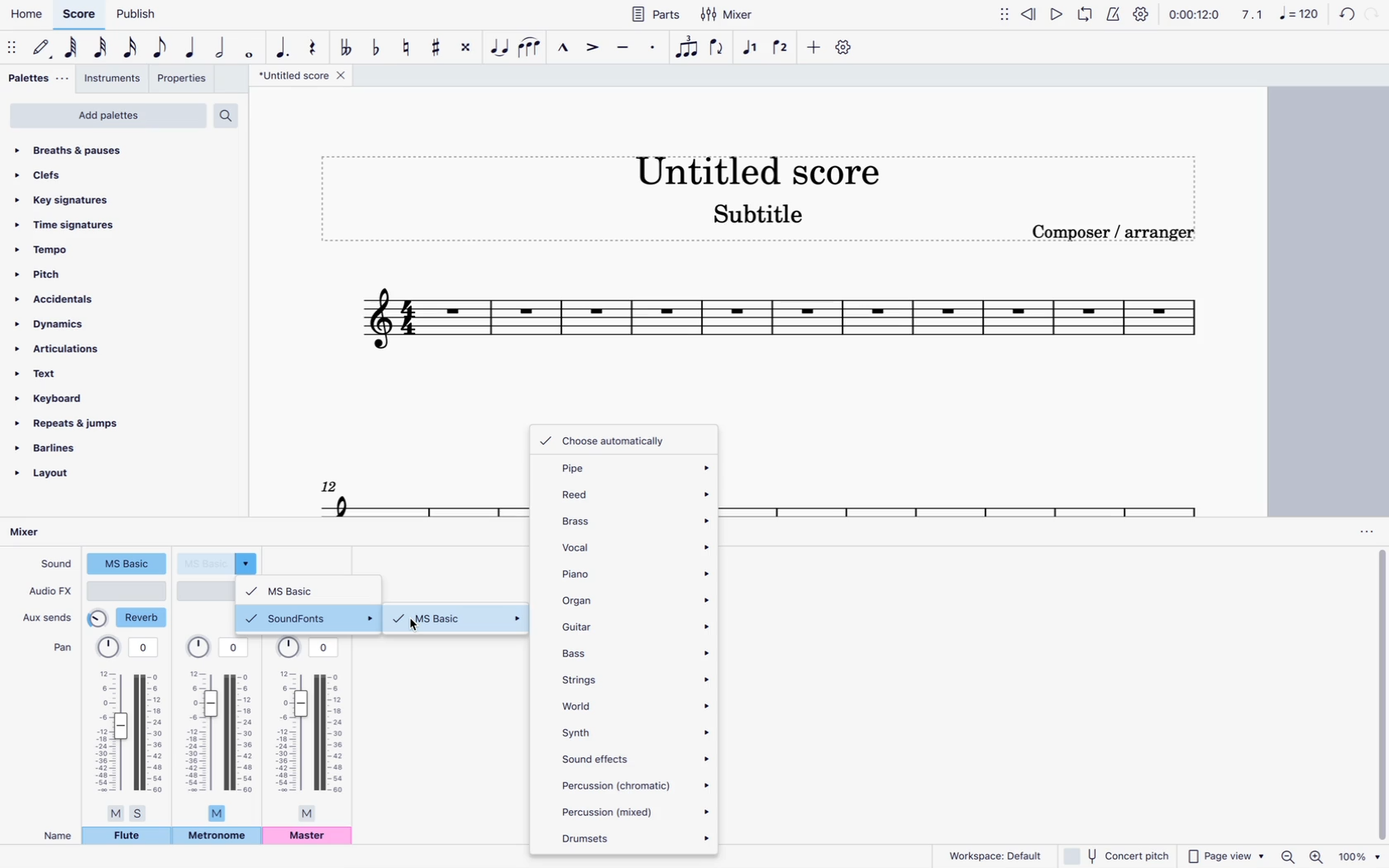 Image resolution: width=1389 pixels, height=868 pixels. I want to click on sound type, so click(126, 565).